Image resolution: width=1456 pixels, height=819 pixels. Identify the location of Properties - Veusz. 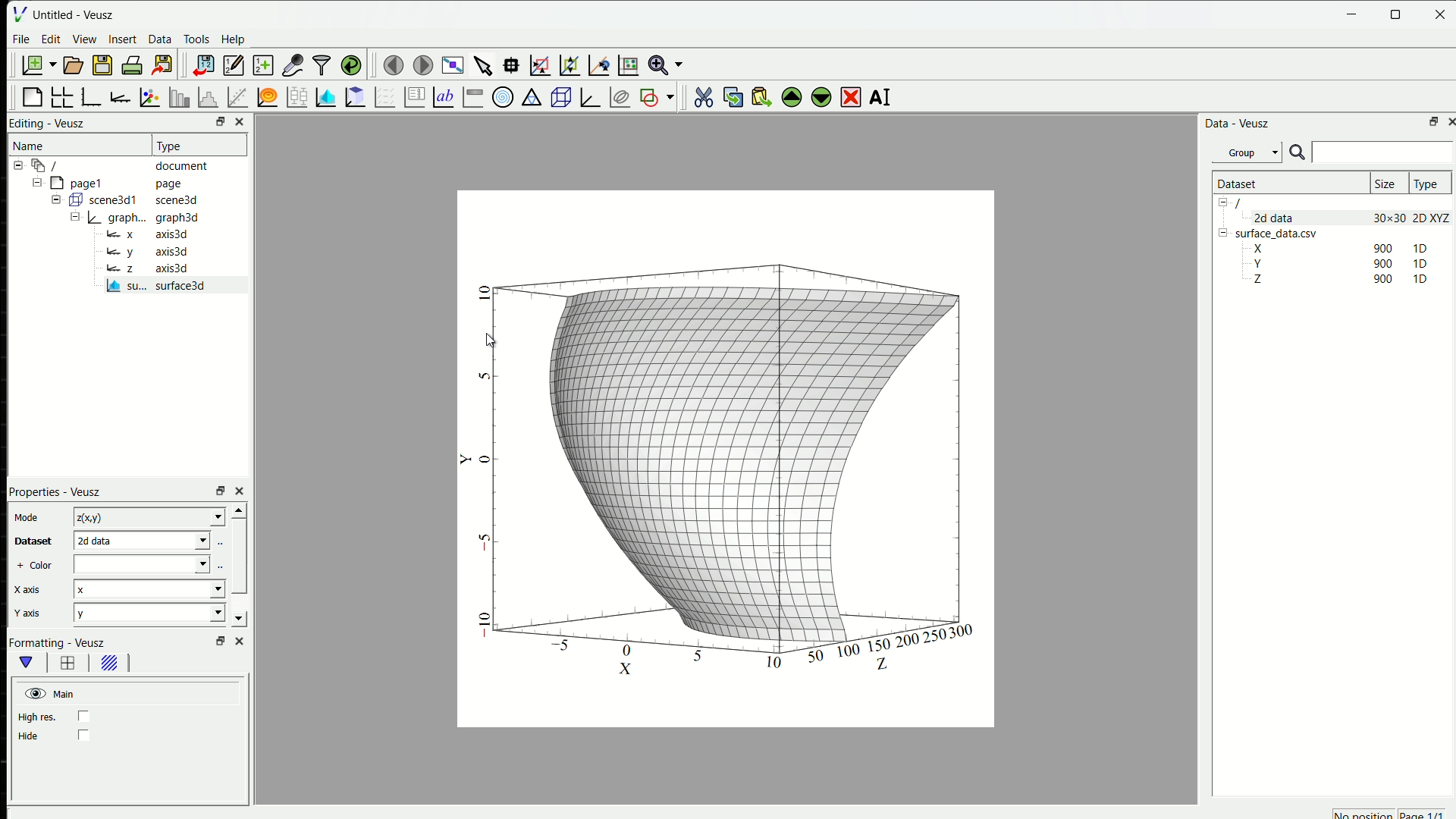
(57, 493).